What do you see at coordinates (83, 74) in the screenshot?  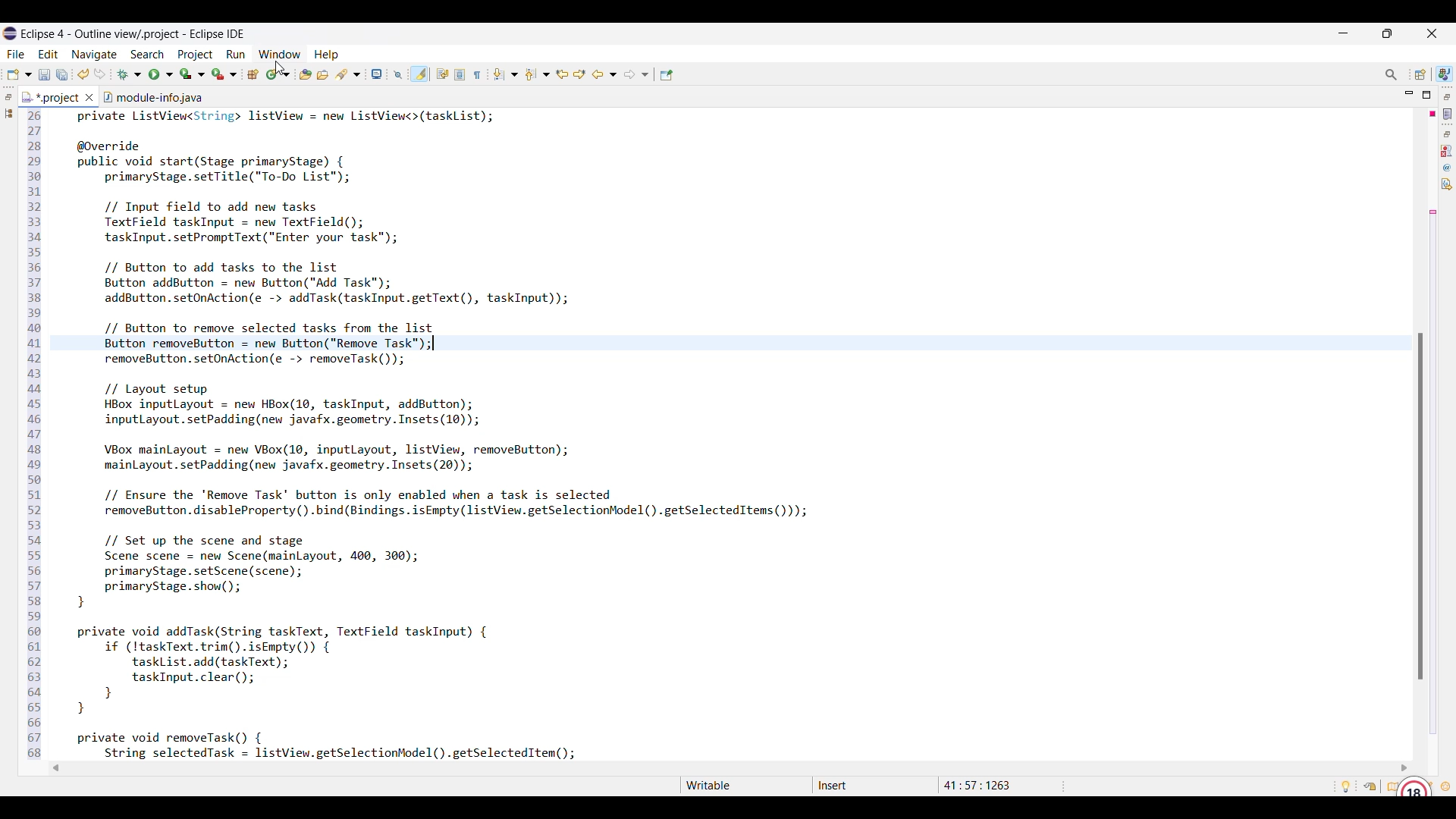 I see `Undo` at bounding box center [83, 74].